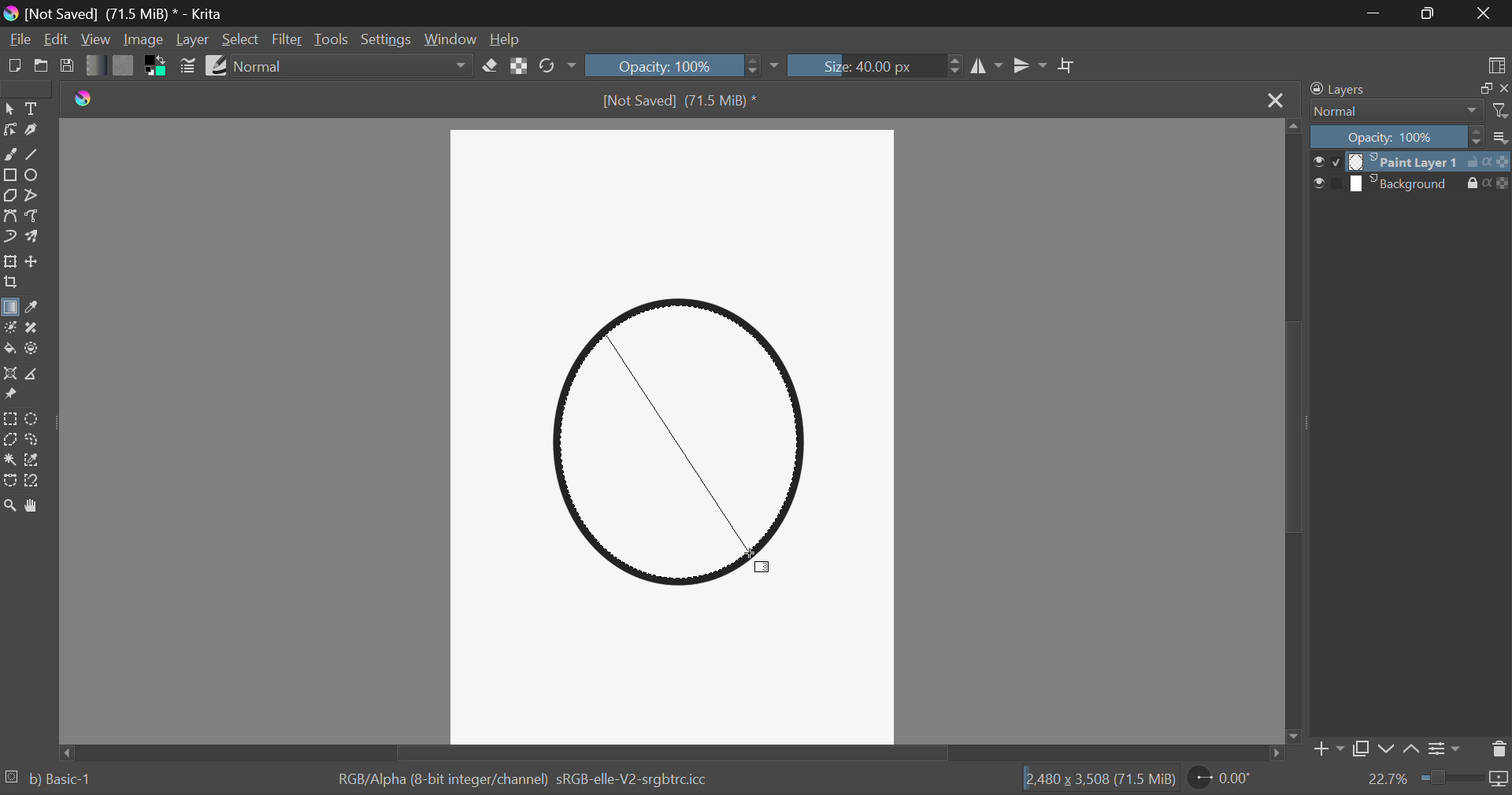 The image size is (1512, 795). I want to click on actions, so click(1488, 162).